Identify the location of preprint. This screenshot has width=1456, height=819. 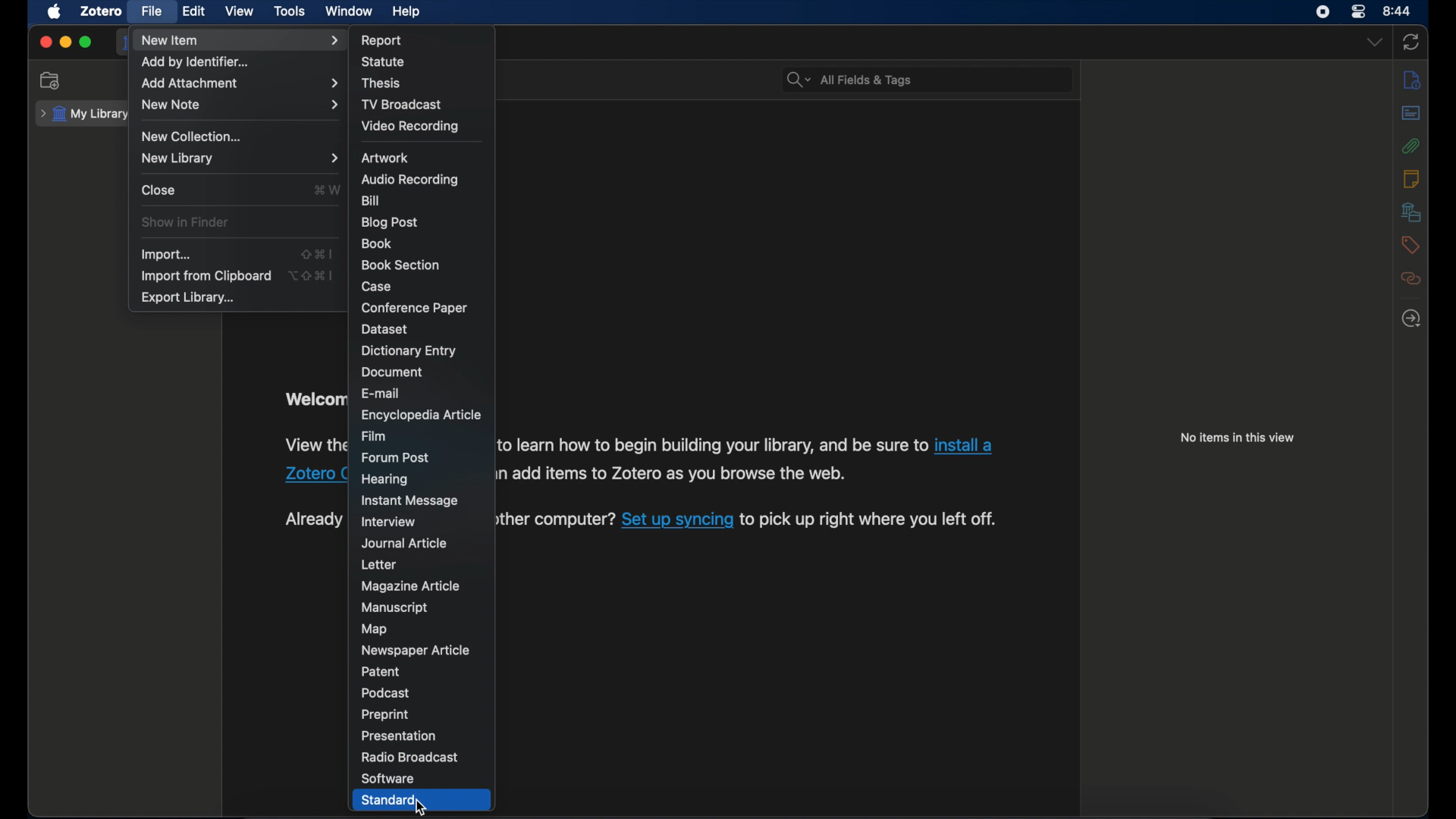
(385, 715).